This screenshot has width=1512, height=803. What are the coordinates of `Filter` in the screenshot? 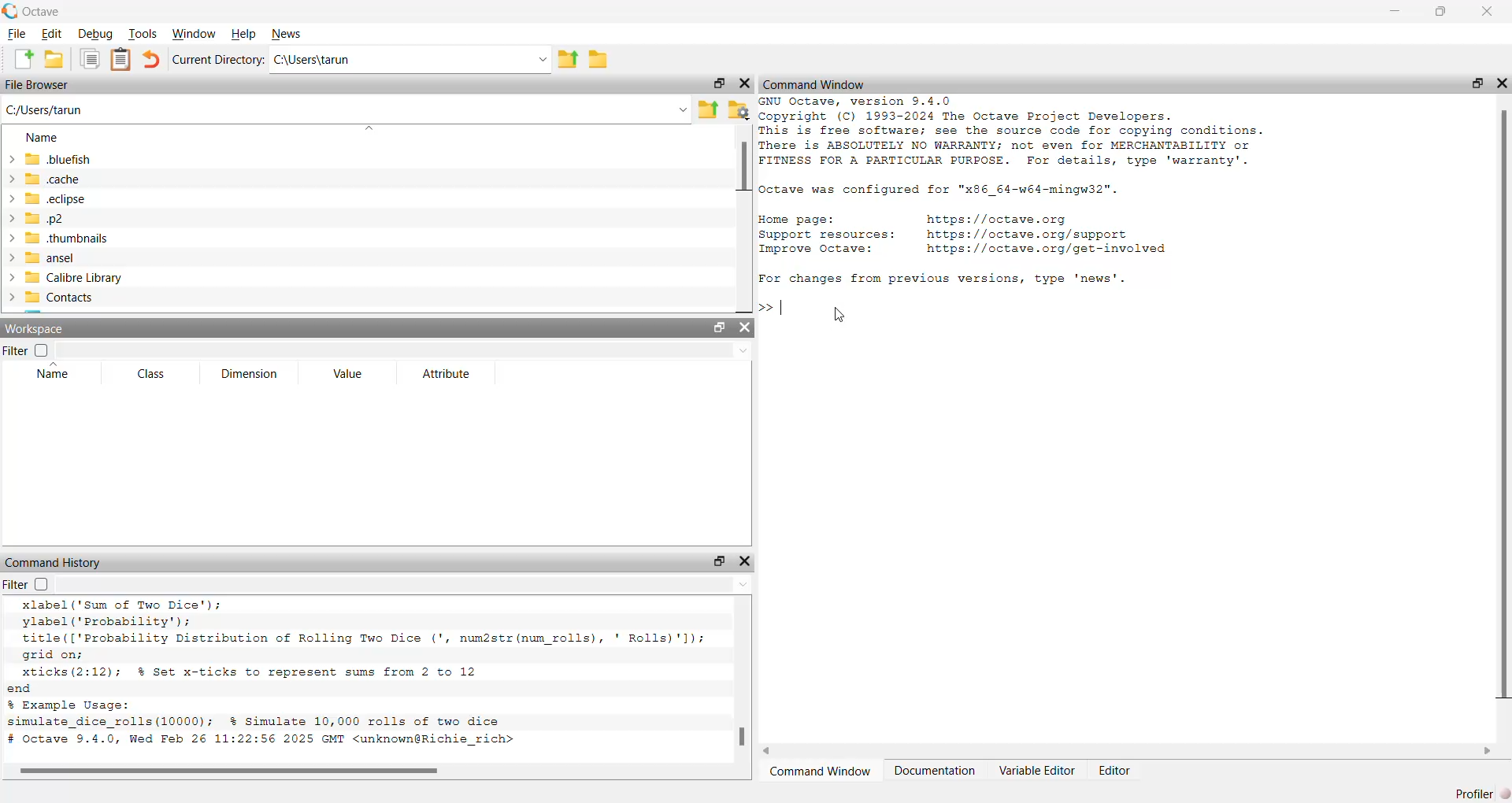 It's located at (25, 350).